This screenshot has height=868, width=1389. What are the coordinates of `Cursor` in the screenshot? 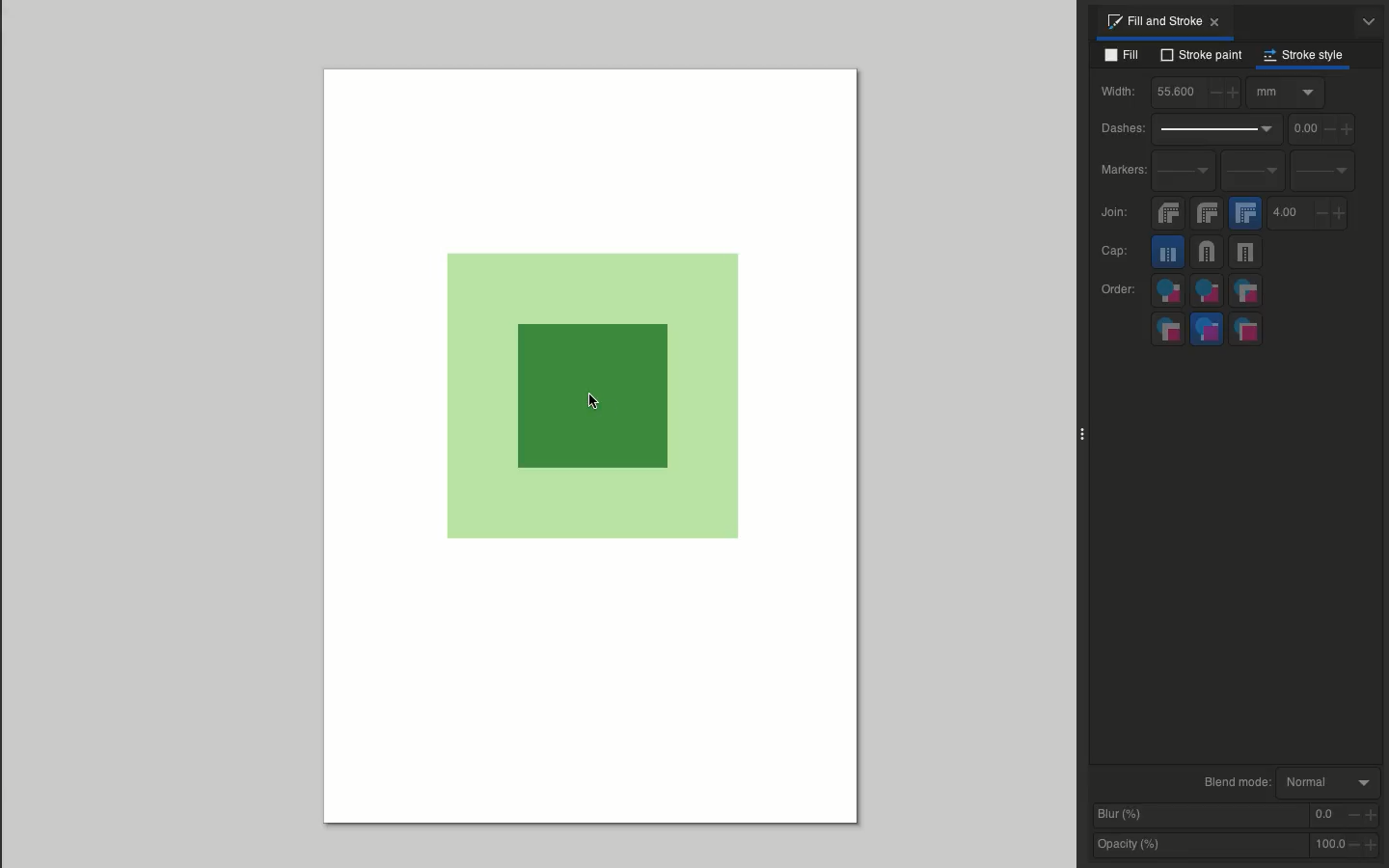 It's located at (595, 398).